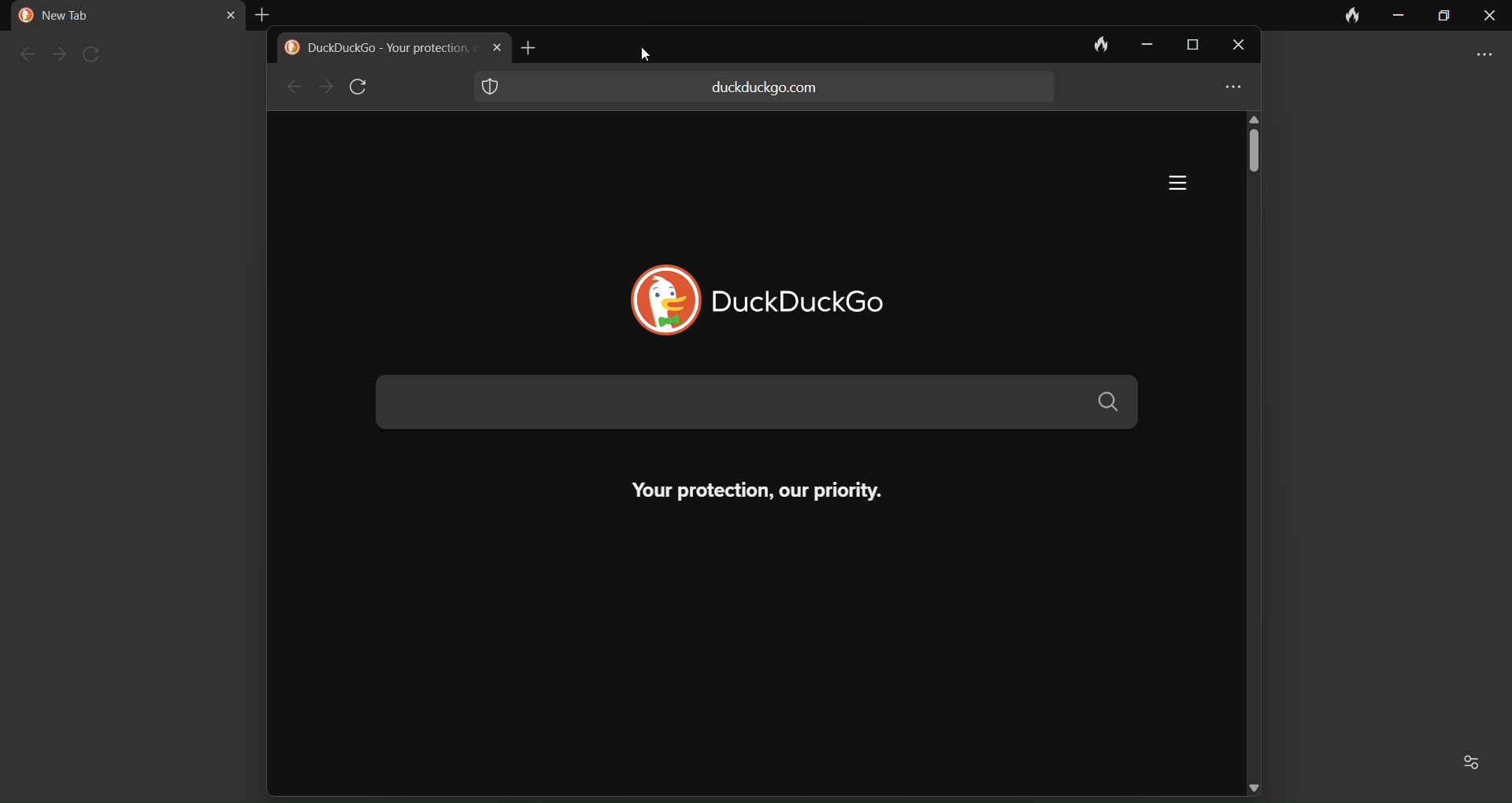 The height and width of the screenshot is (803, 1512). Describe the element at coordinates (754, 403) in the screenshot. I see `search bar` at that location.